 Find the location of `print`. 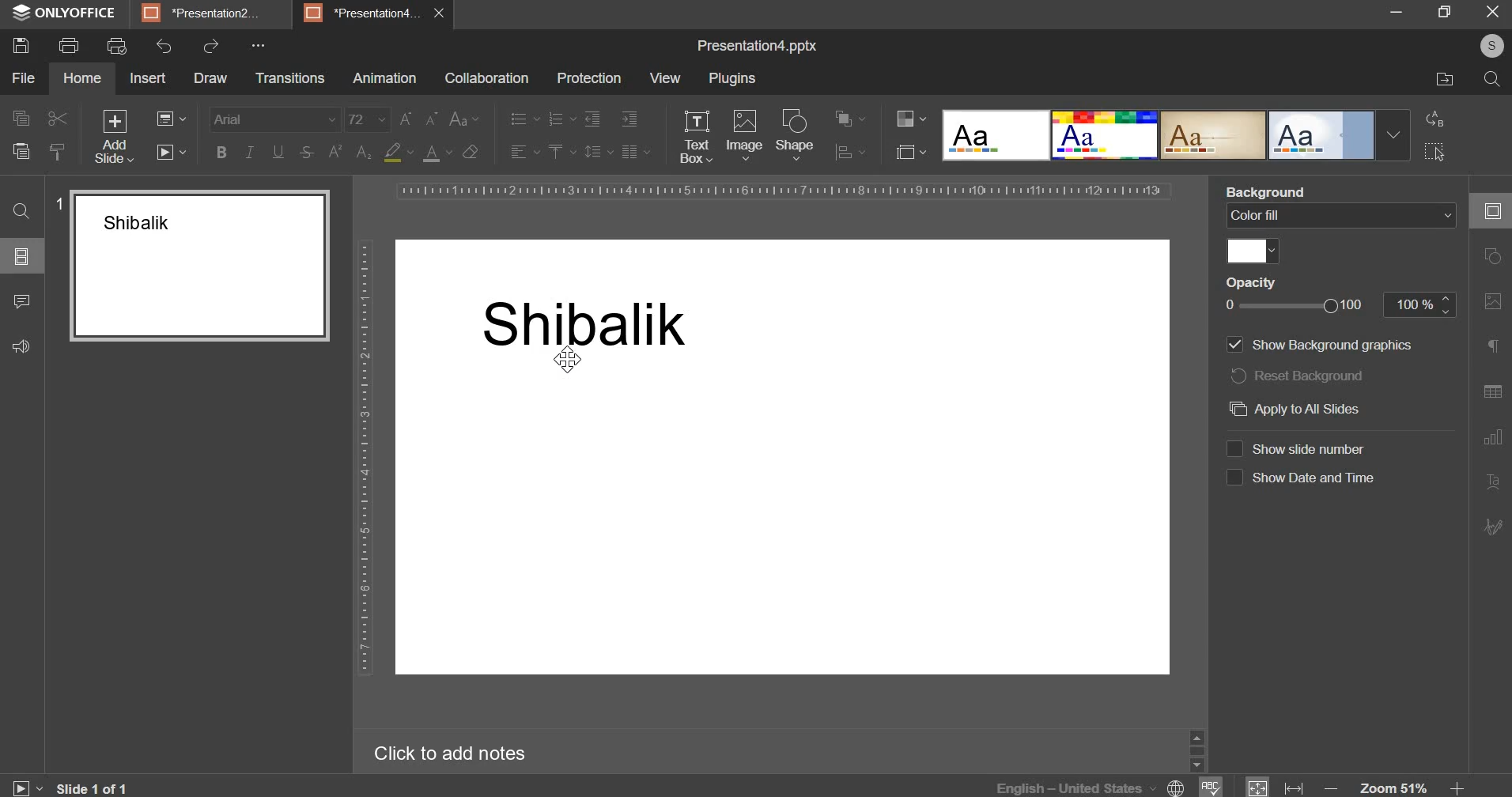

print is located at coordinates (69, 43).